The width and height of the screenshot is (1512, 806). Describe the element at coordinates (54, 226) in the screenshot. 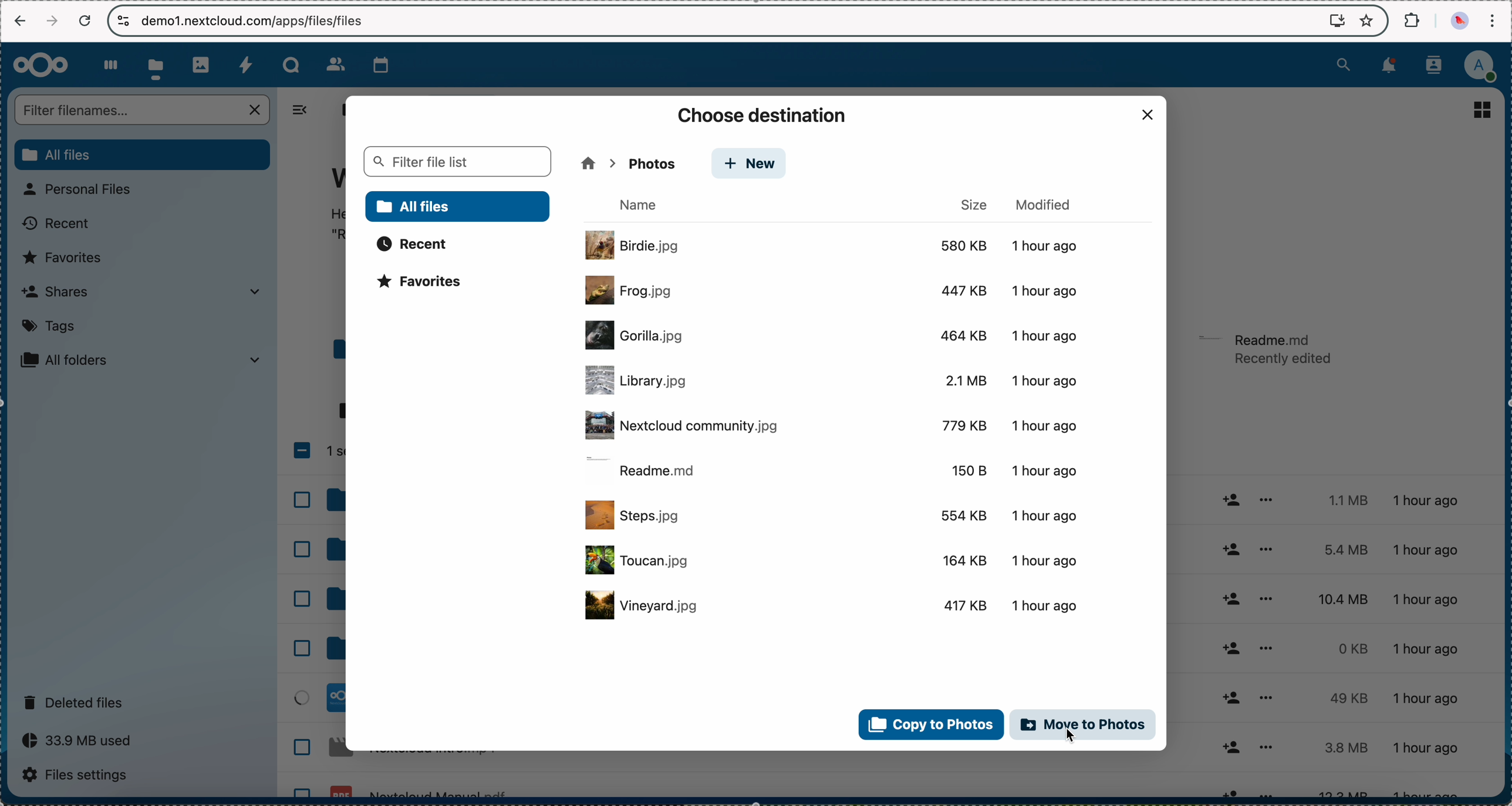

I see `recent` at that location.